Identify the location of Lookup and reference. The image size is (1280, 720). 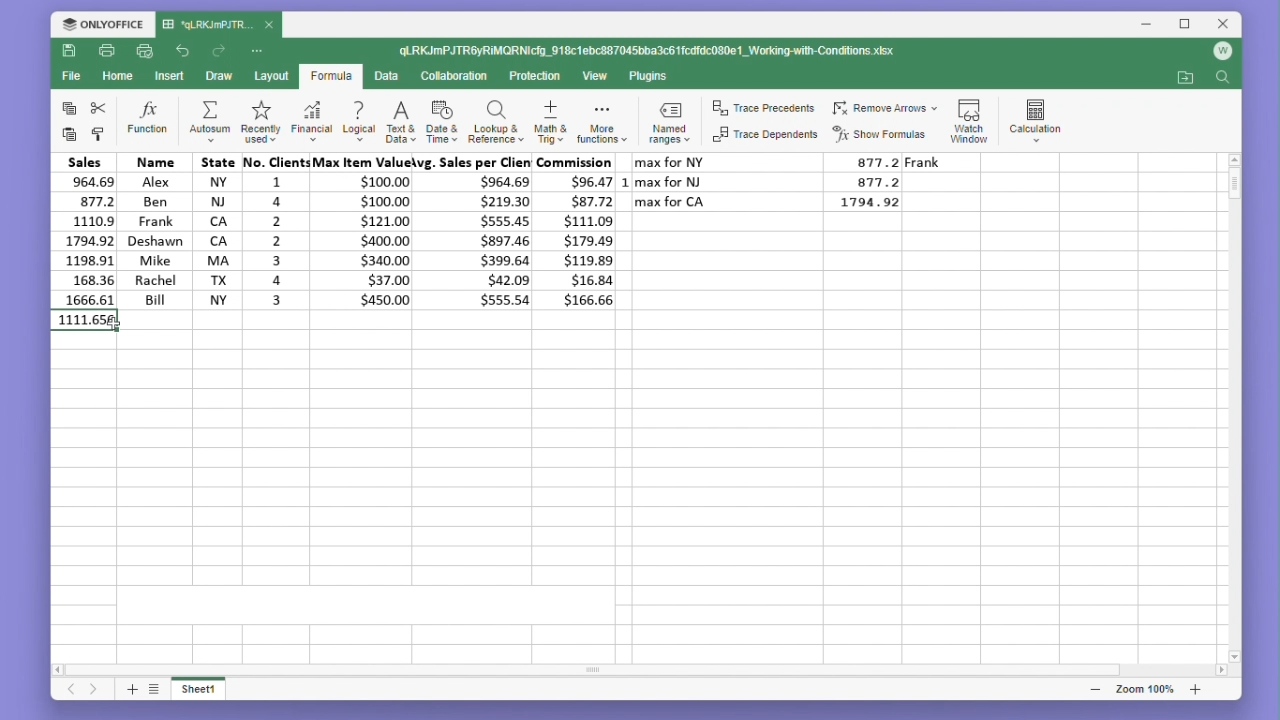
(496, 120).